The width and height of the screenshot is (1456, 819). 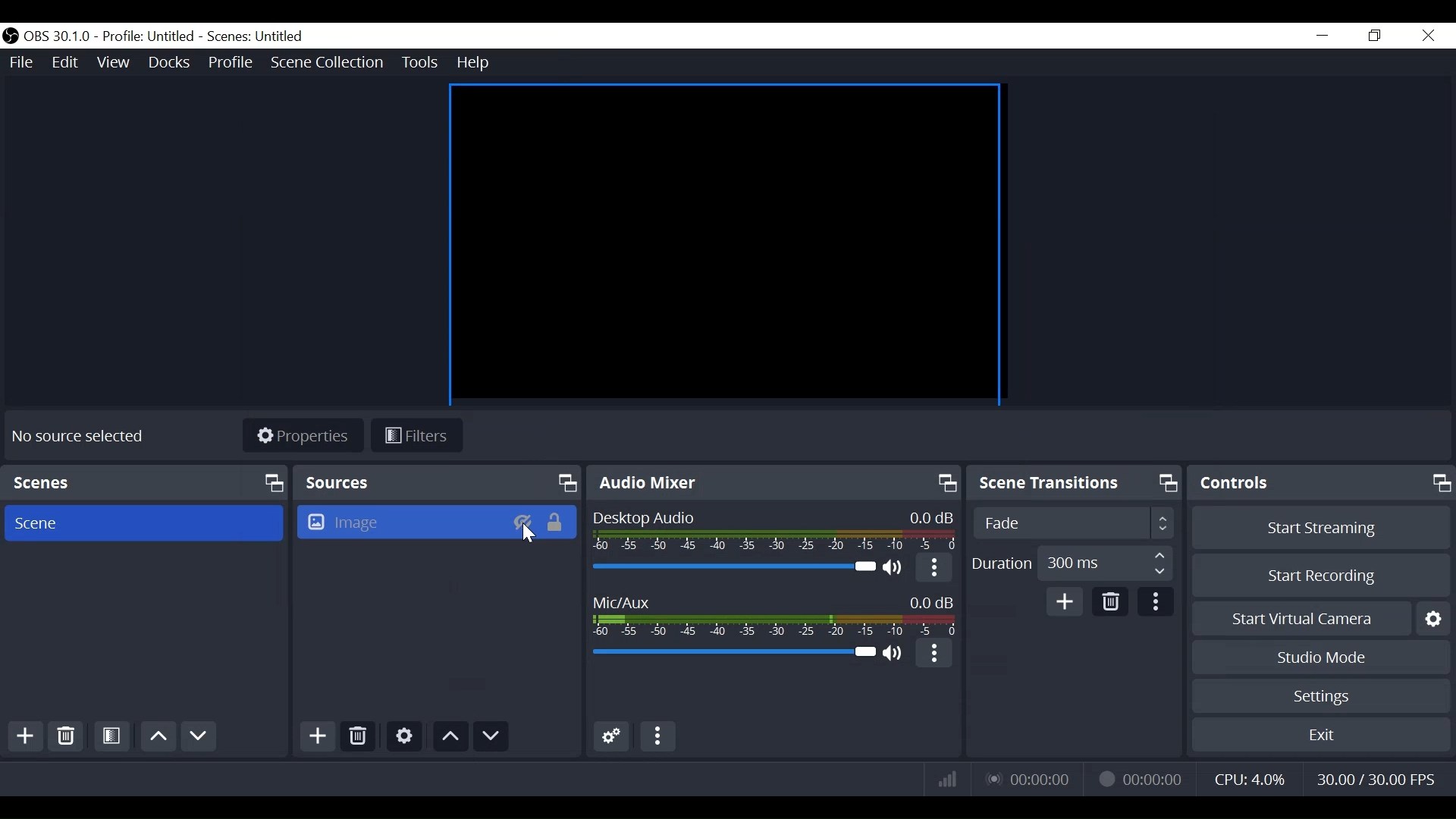 I want to click on Hide/Display, so click(x=522, y=522).